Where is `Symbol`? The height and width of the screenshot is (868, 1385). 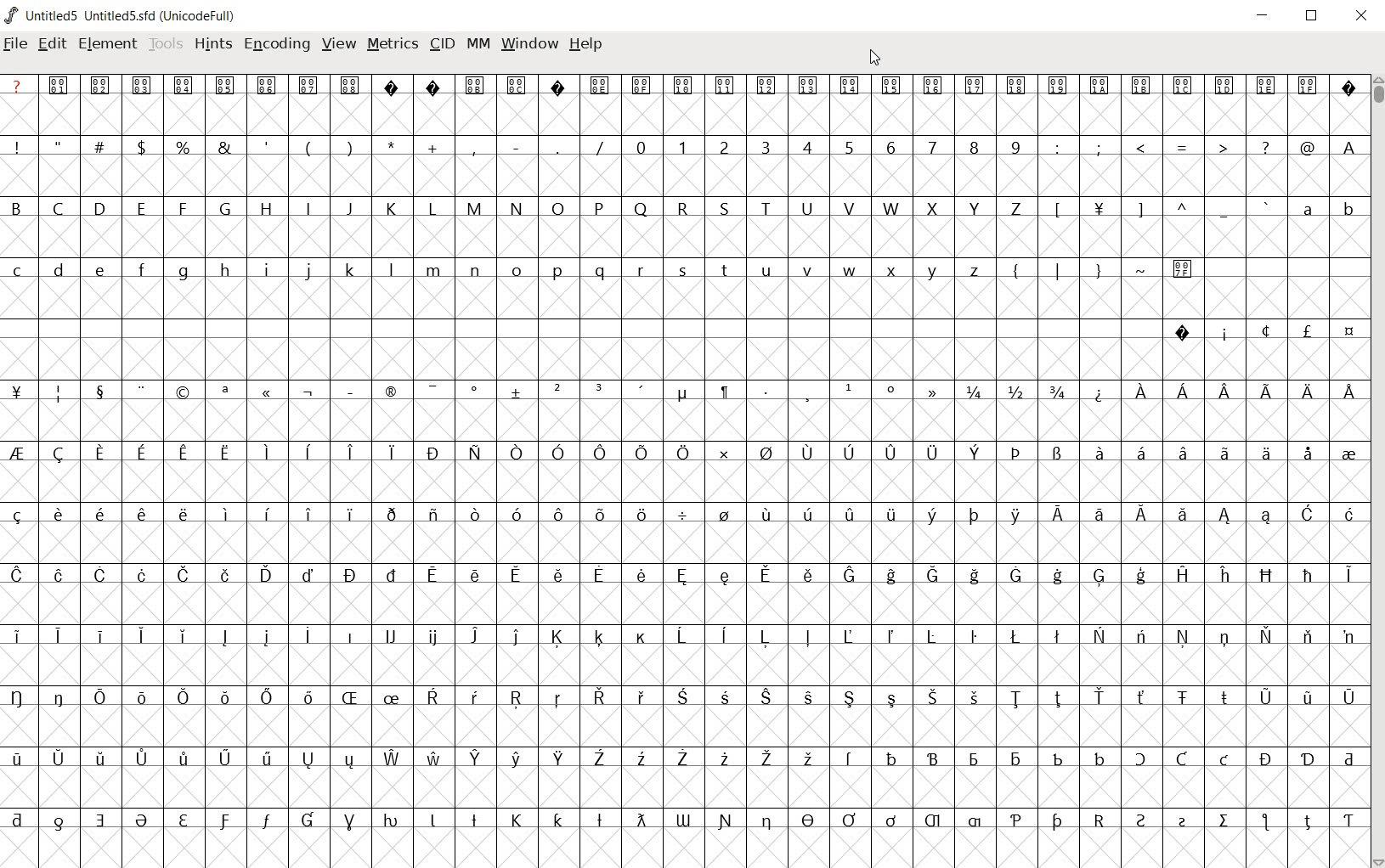 Symbol is located at coordinates (141, 454).